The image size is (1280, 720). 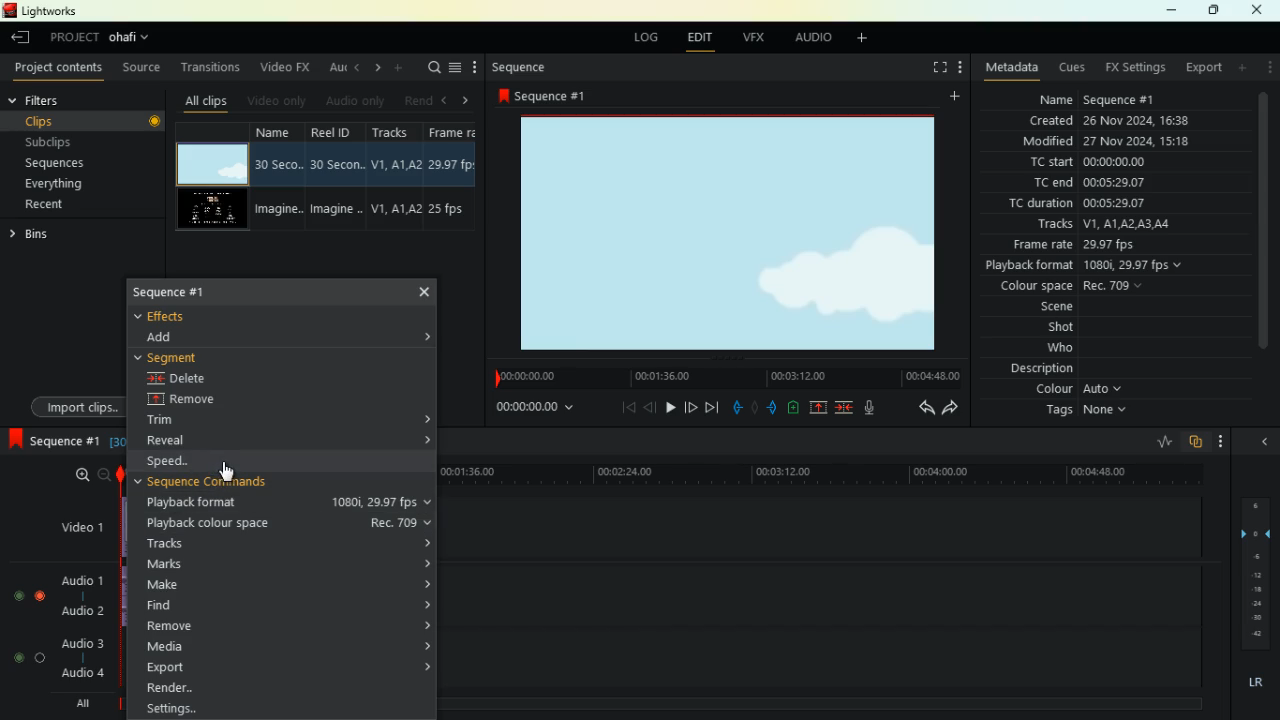 What do you see at coordinates (649, 38) in the screenshot?
I see `log` at bounding box center [649, 38].